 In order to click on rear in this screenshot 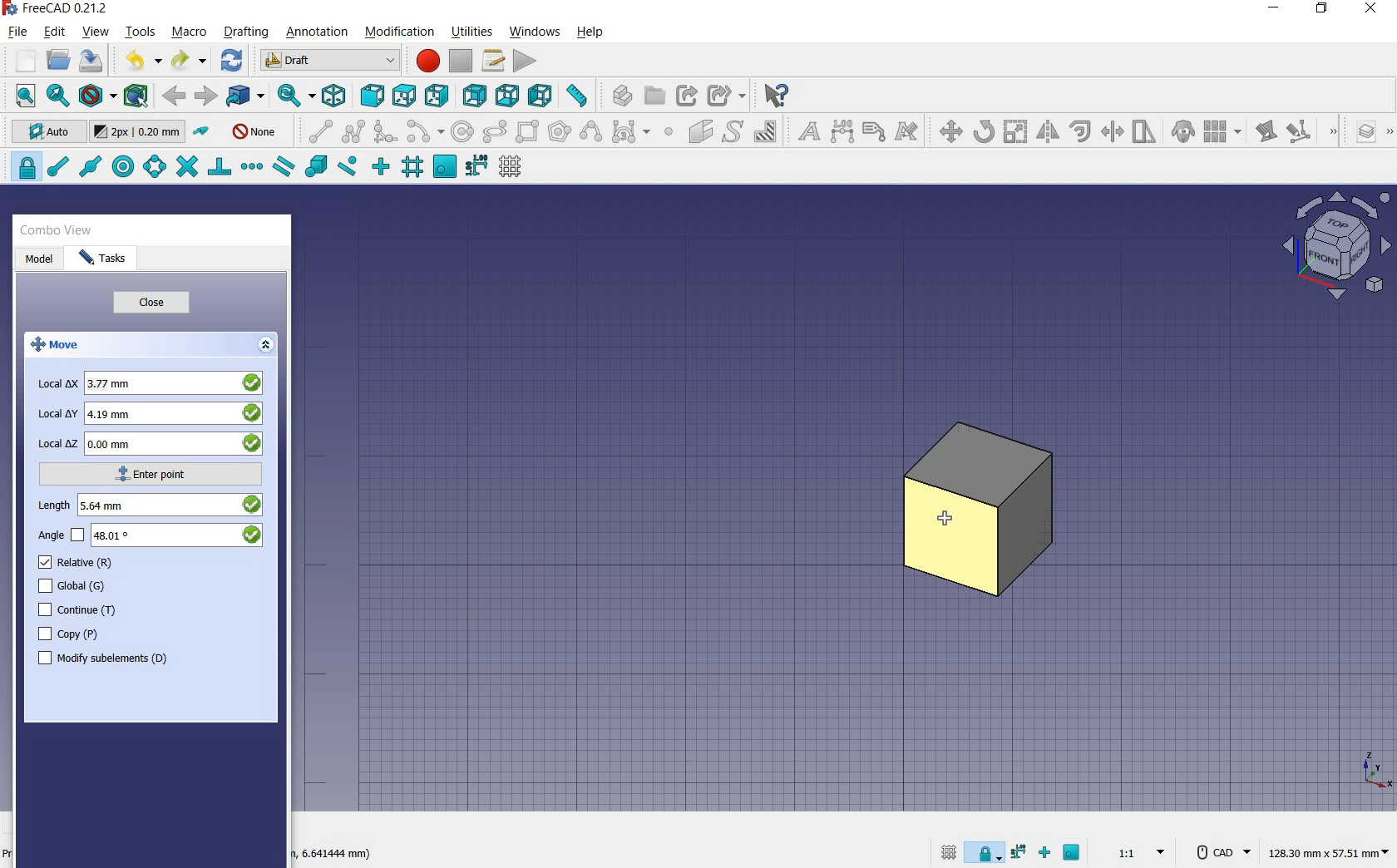, I will do `click(475, 96)`.